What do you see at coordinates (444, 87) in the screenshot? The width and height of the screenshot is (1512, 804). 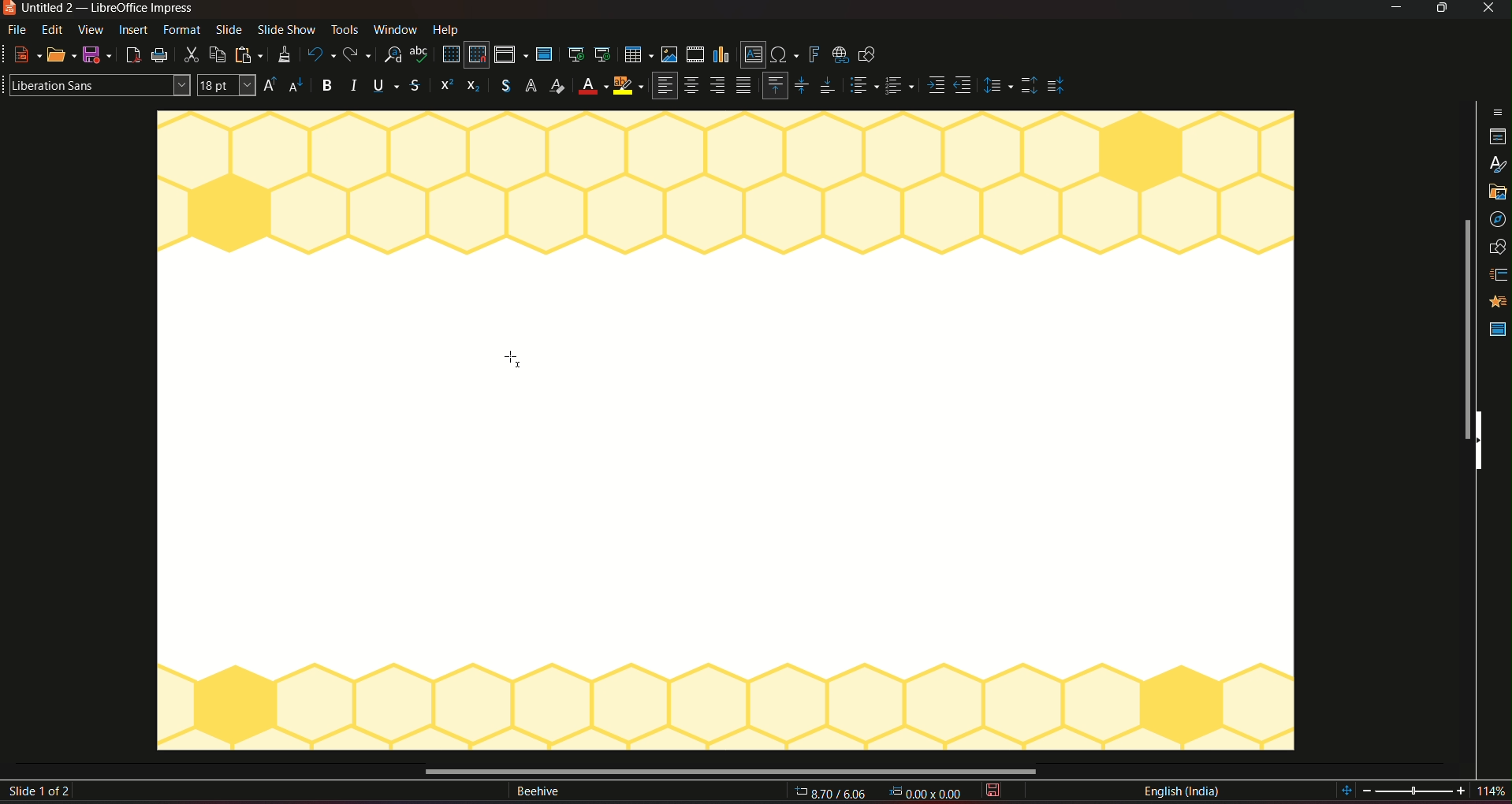 I see `icon` at bounding box center [444, 87].